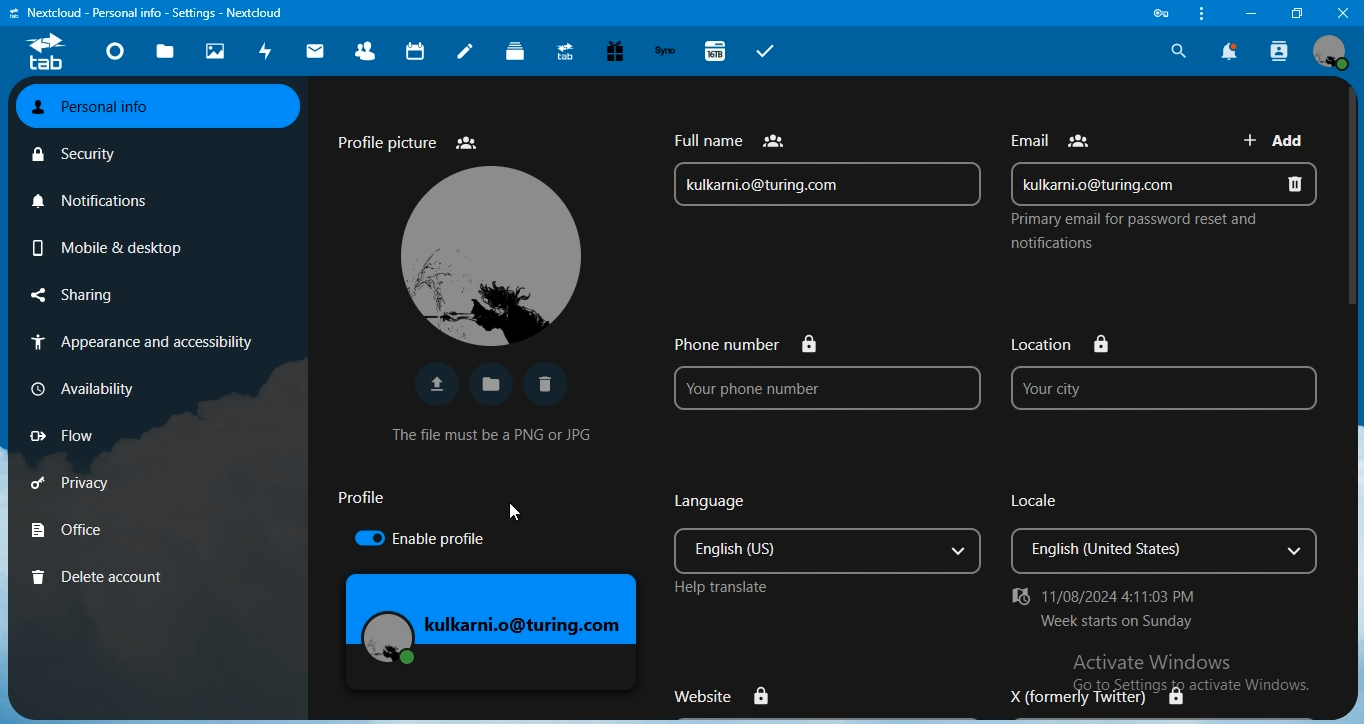 The width and height of the screenshot is (1364, 724). I want to click on contact, so click(366, 50).